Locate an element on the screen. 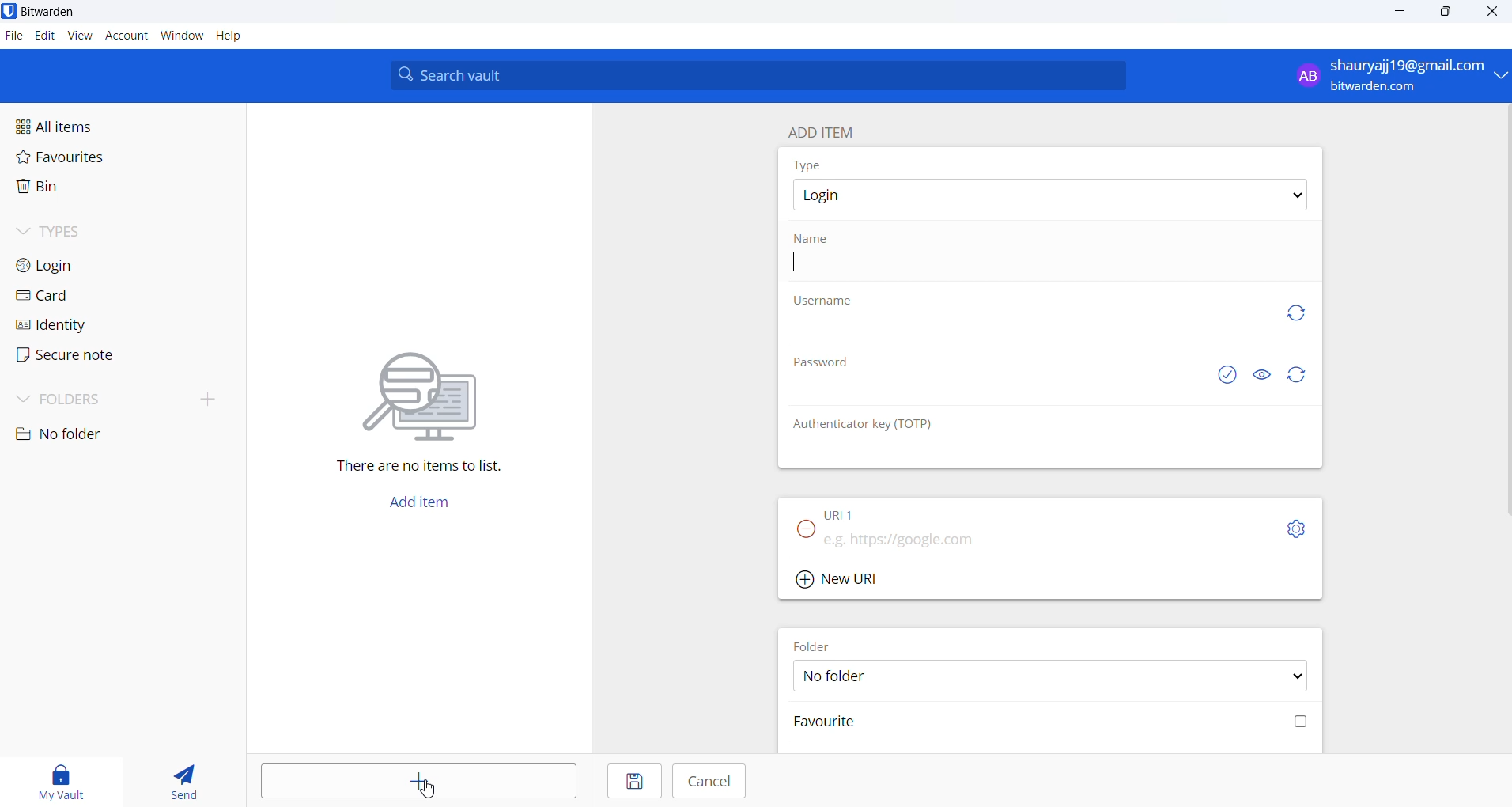  View is located at coordinates (81, 36).